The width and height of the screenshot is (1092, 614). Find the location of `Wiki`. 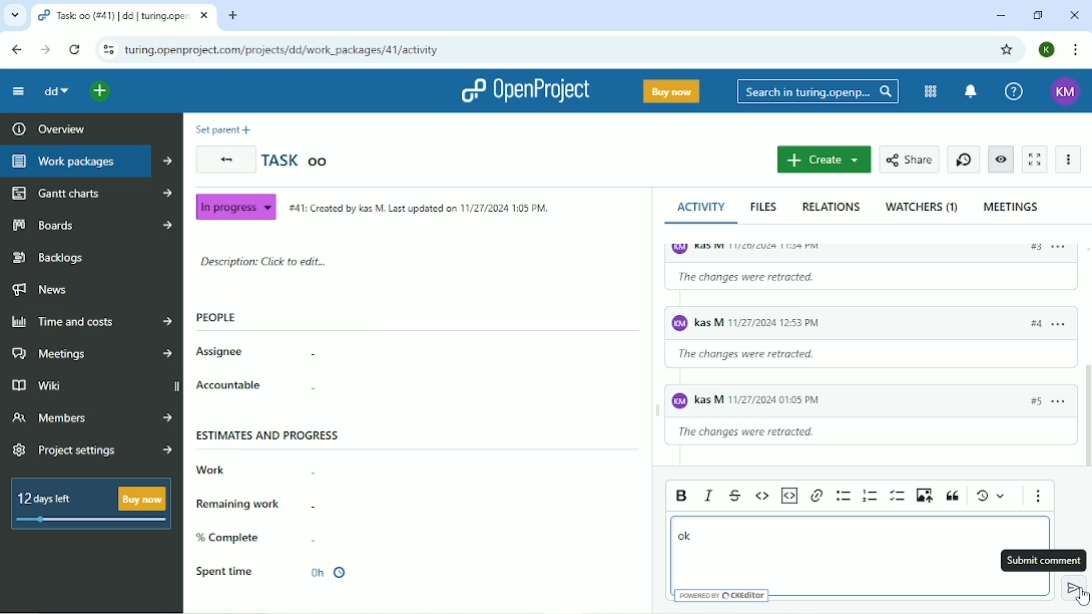

Wiki is located at coordinates (93, 386).